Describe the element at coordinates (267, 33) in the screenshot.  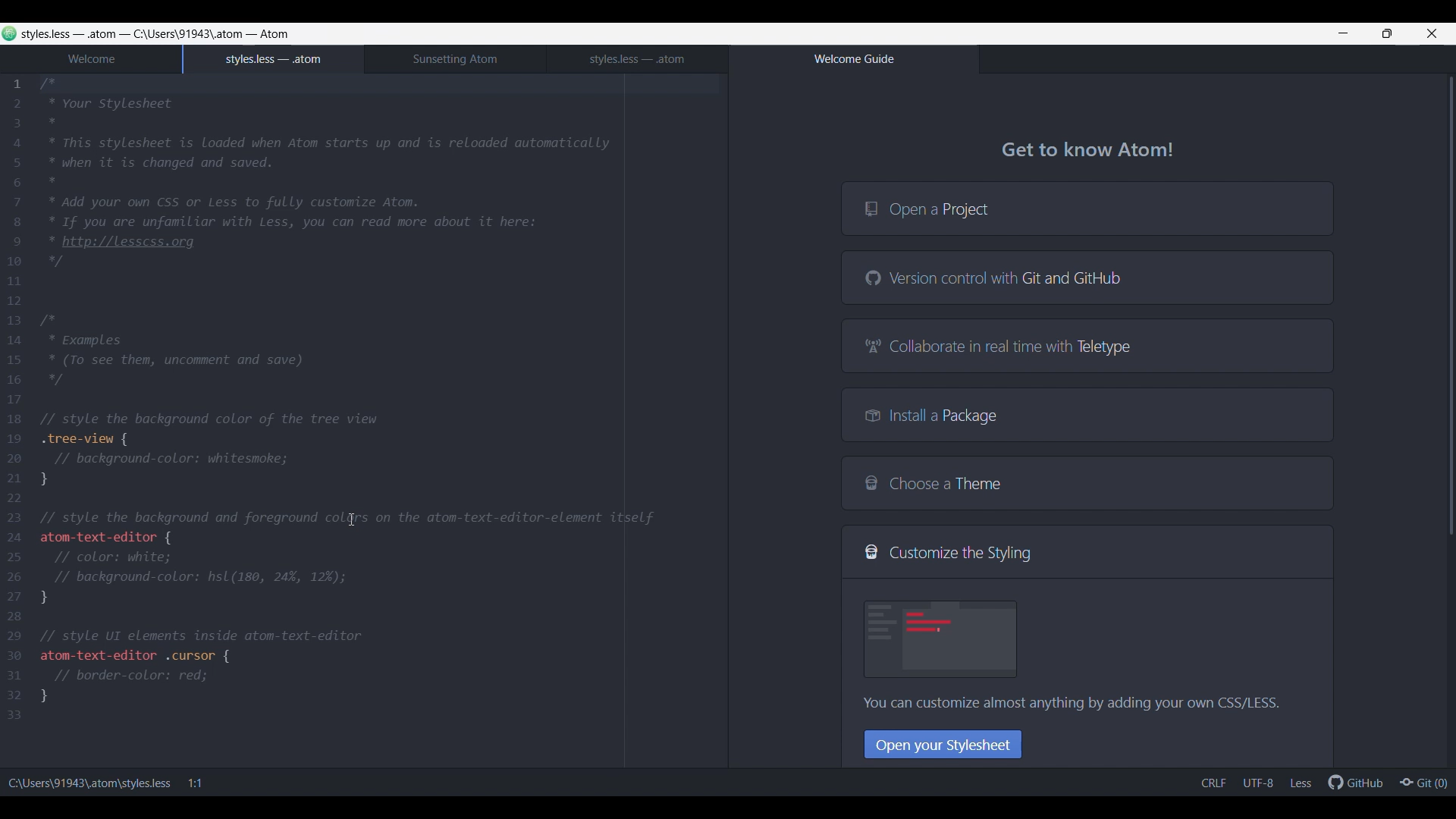
I see `- Atom` at that location.